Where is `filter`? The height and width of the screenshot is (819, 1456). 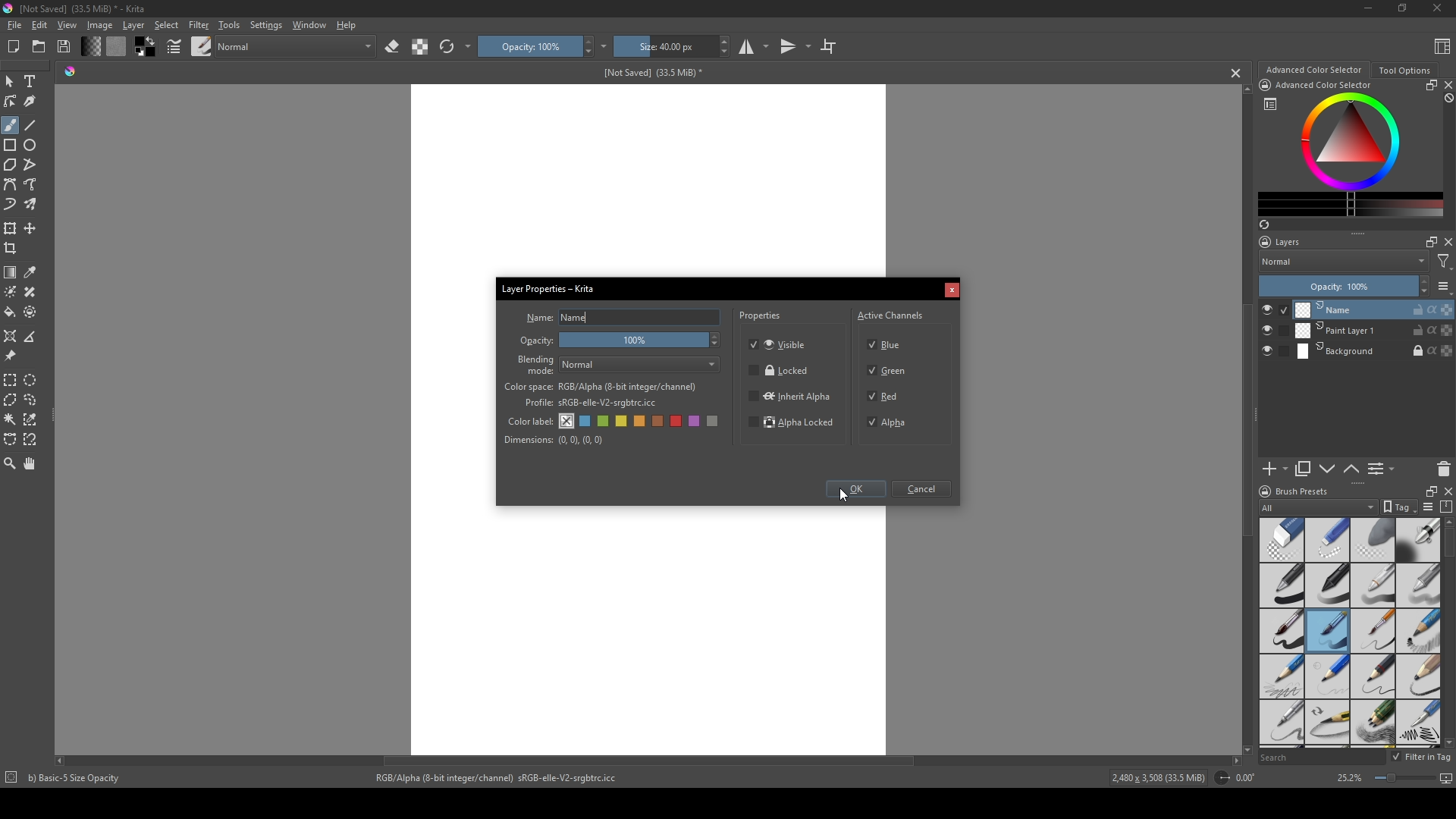 filter is located at coordinates (1444, 262).